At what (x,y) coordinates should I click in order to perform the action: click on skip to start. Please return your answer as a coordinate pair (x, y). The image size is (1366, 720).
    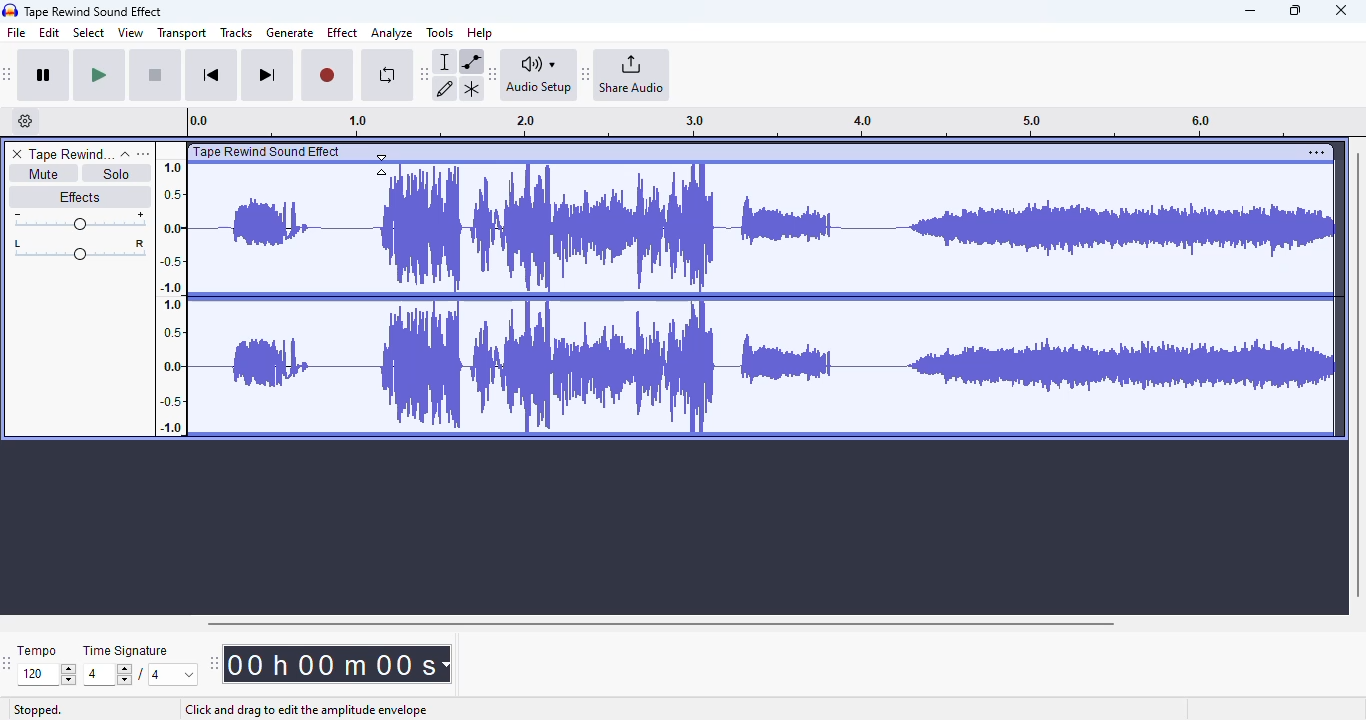
    Looking at the image, I should click on (210, 77).